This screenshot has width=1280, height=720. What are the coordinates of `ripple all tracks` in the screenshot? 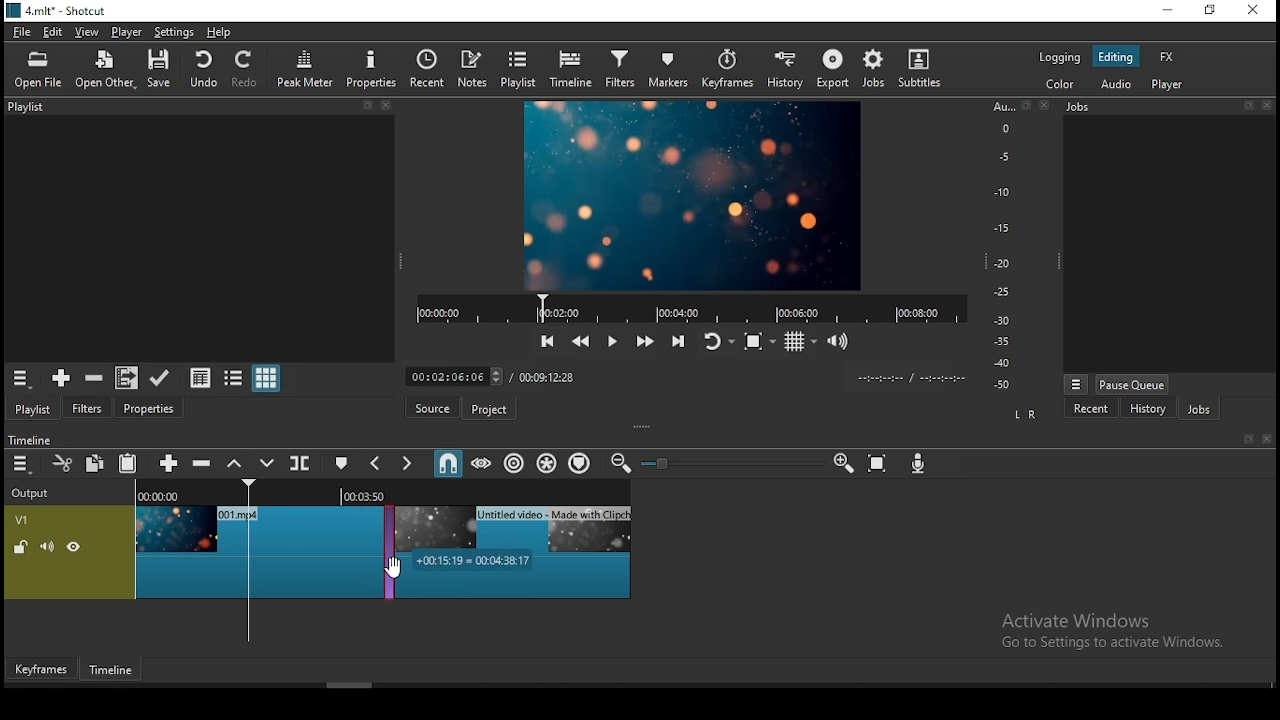 It's located at (548, 464).